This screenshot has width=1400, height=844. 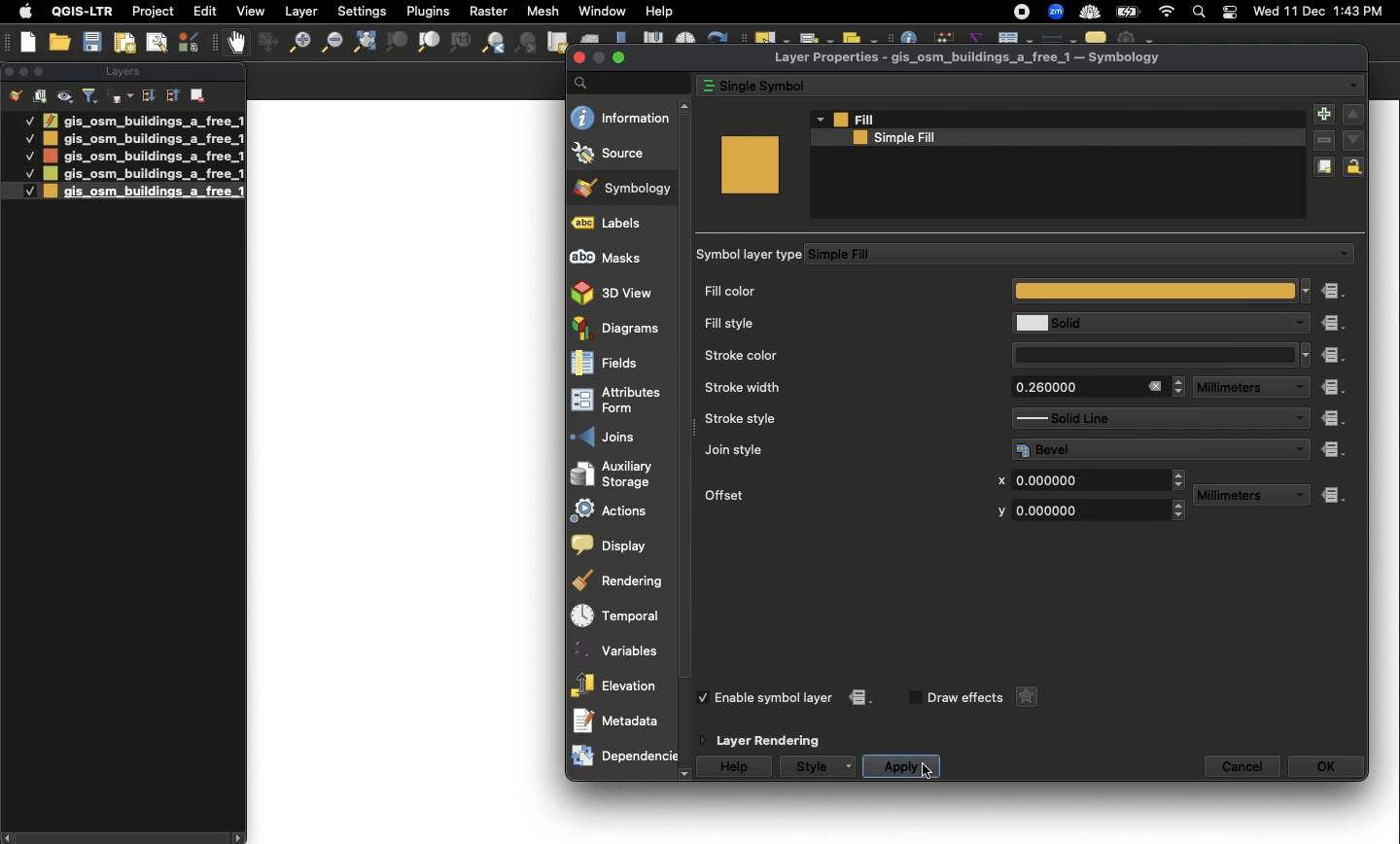 I want to click on vertical Scrollbar, so click(x=689, y=440).